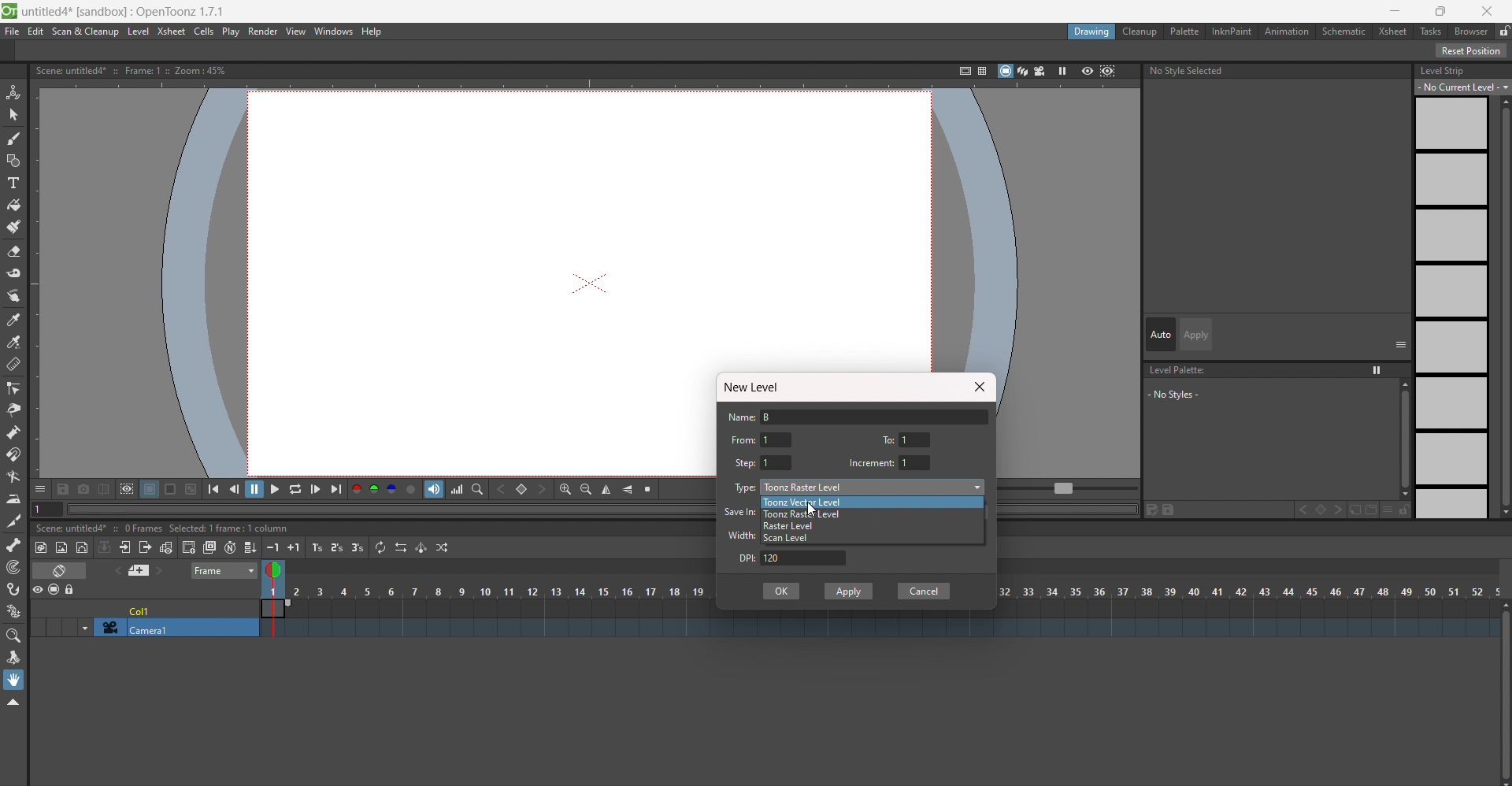 The height and width of the screenshot is (786, 1512). What do you see at coordinates (13, 637) in the screenshot?
I see `magnifier tool` at bounding box center [13, 637].